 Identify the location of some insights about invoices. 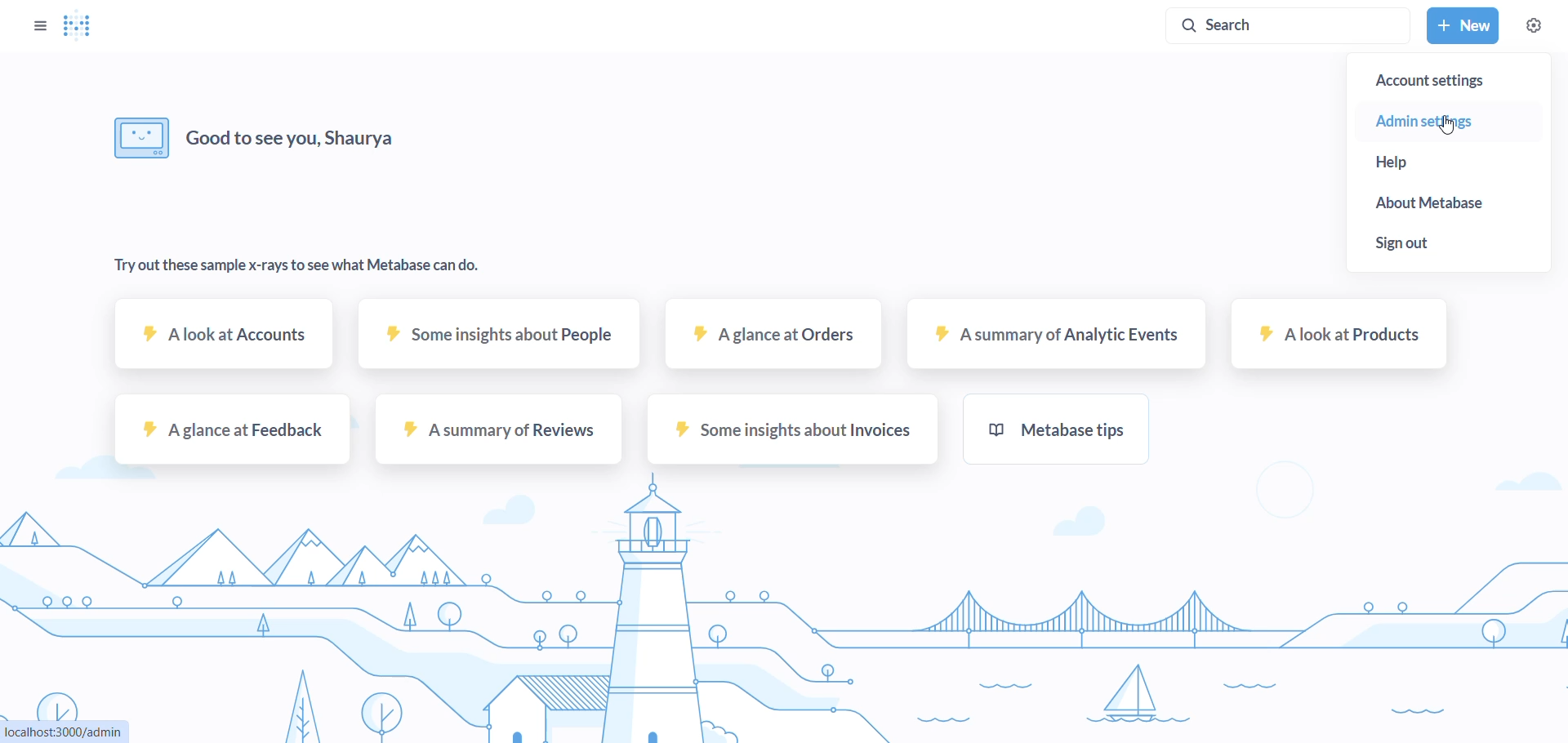
(782, 434).